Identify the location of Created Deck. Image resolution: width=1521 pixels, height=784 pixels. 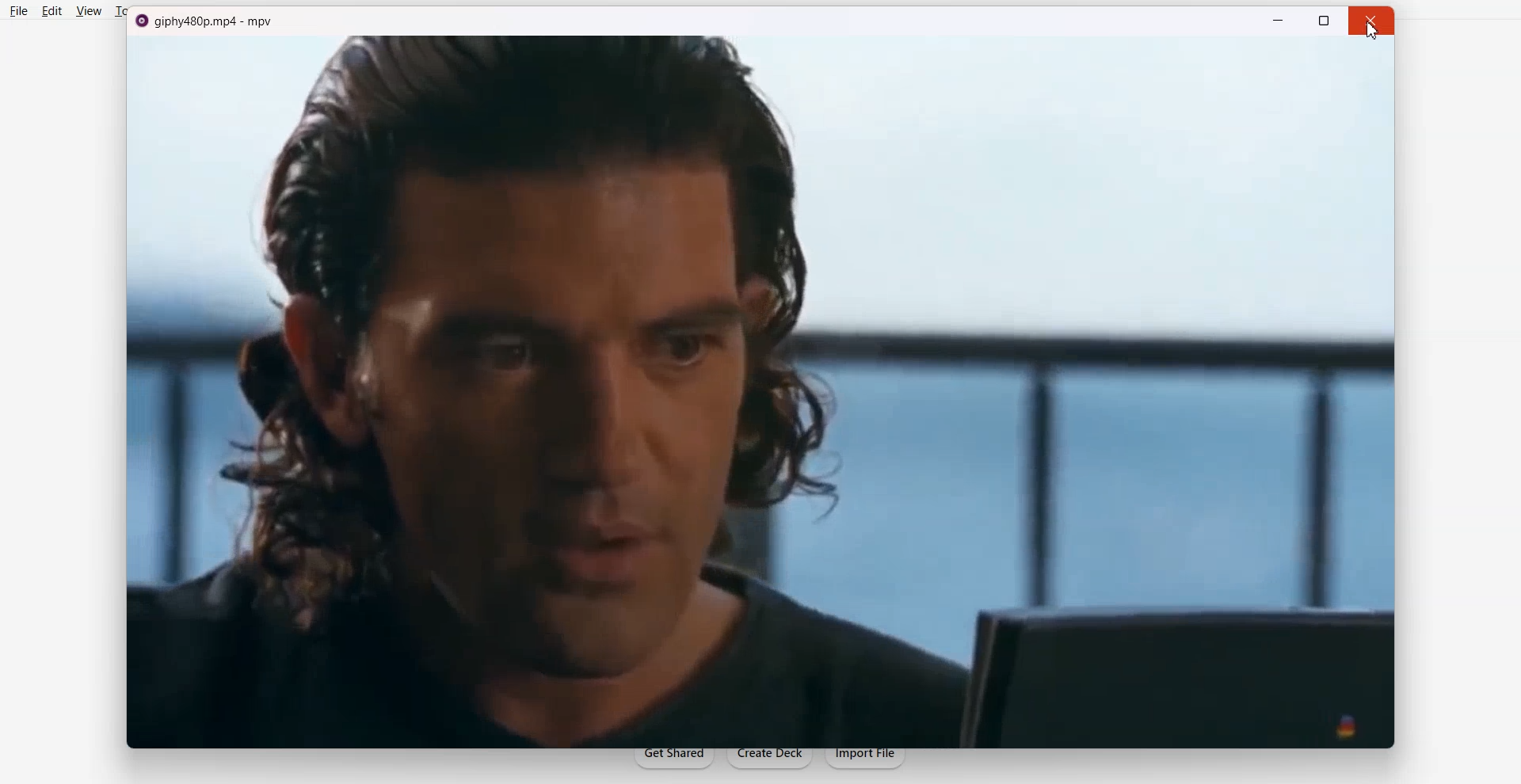
(772, 761).